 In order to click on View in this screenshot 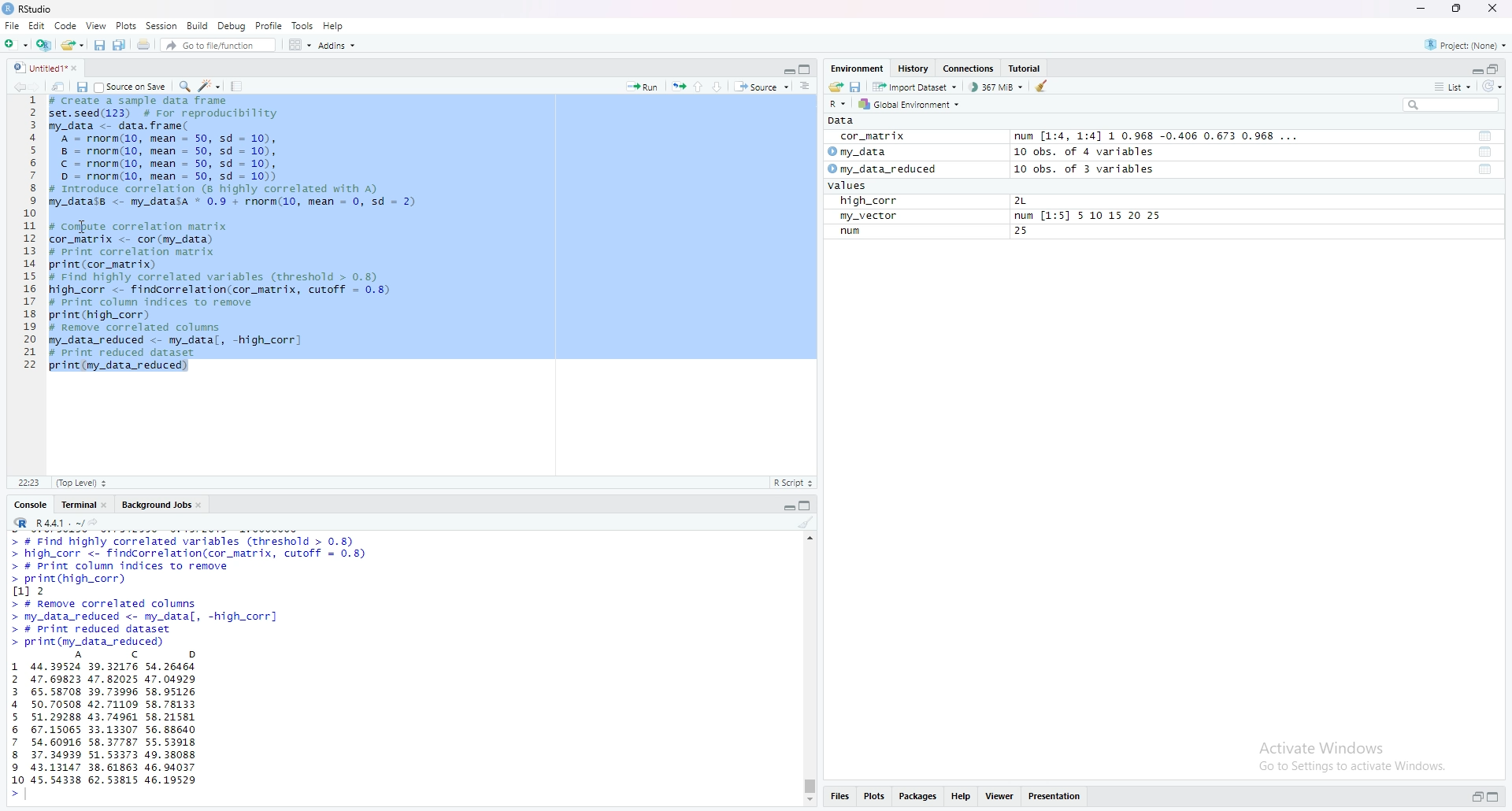, I will do `click(97, 26)`.